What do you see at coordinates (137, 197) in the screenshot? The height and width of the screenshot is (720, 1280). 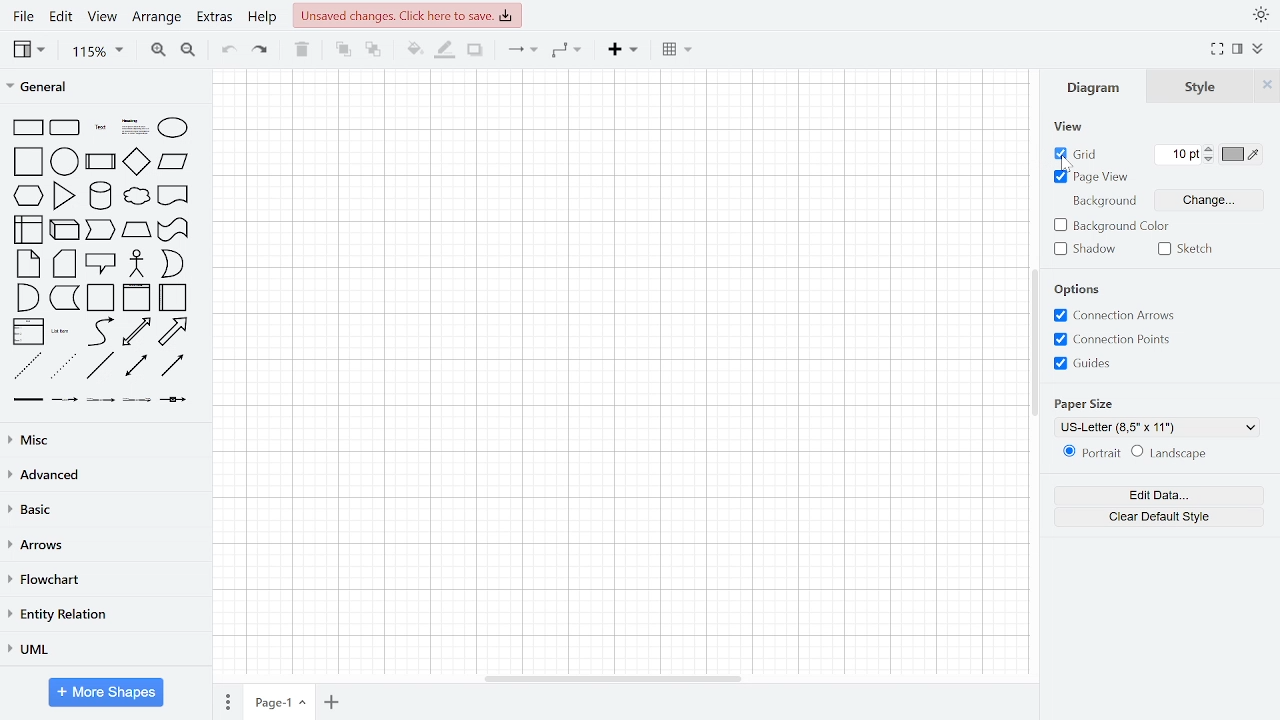 I see `cloud` at bounding box center [137, 197].